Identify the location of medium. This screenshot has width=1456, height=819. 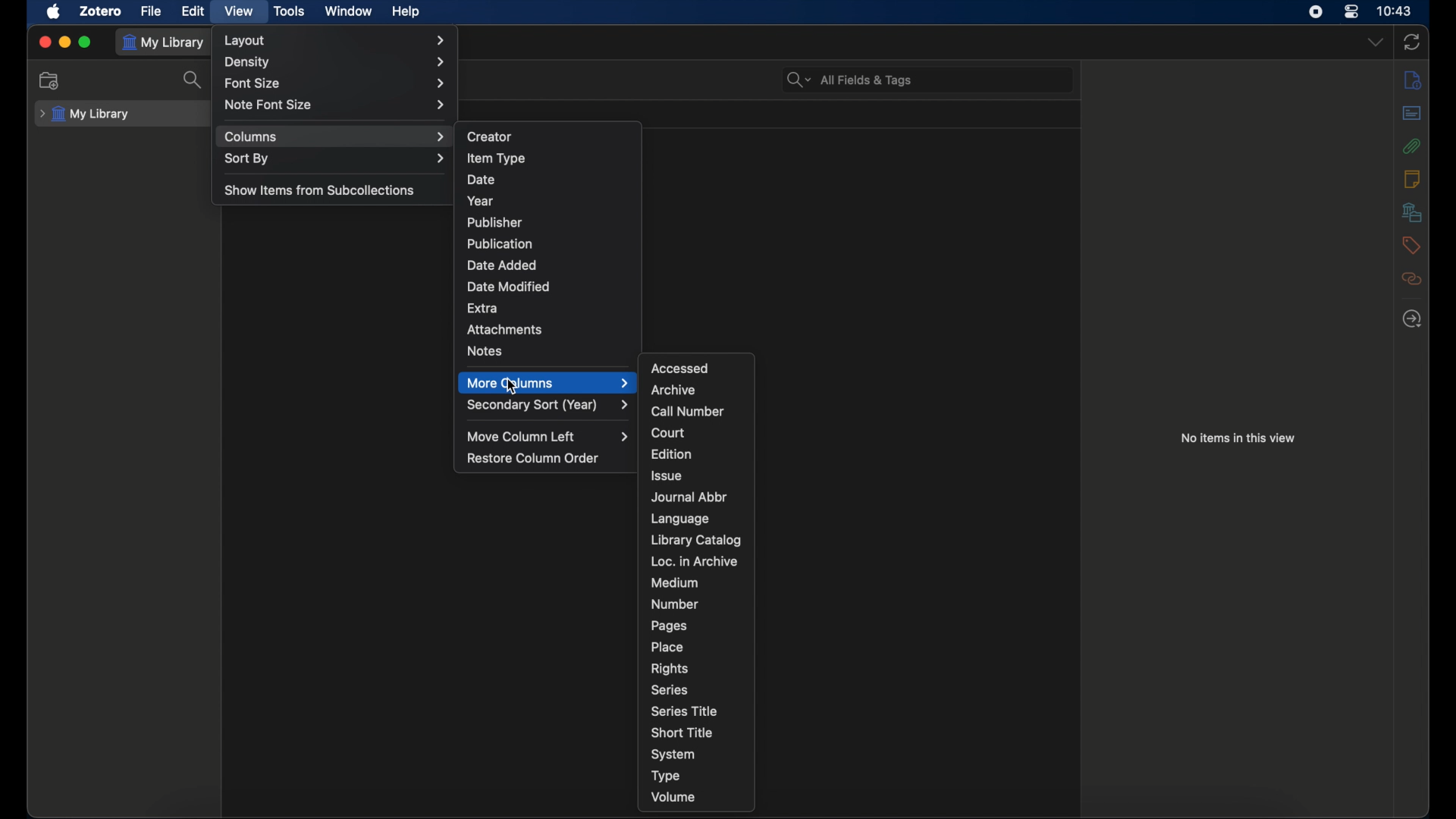
(675, 582).